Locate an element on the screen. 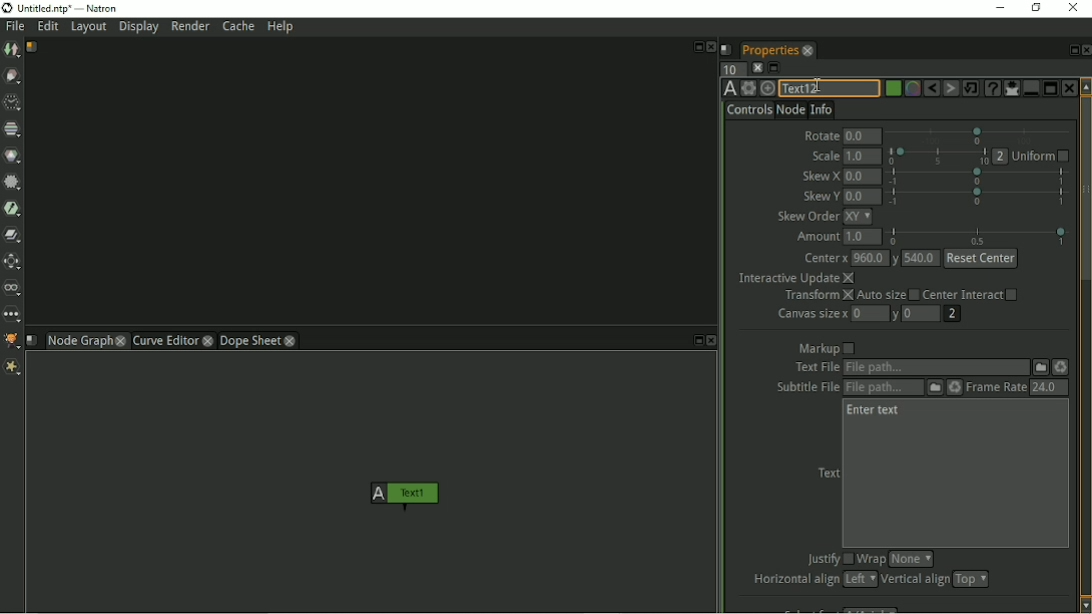 The width and height of the screenshot is (1092, 614). logo is located at coordinates (7, 8).